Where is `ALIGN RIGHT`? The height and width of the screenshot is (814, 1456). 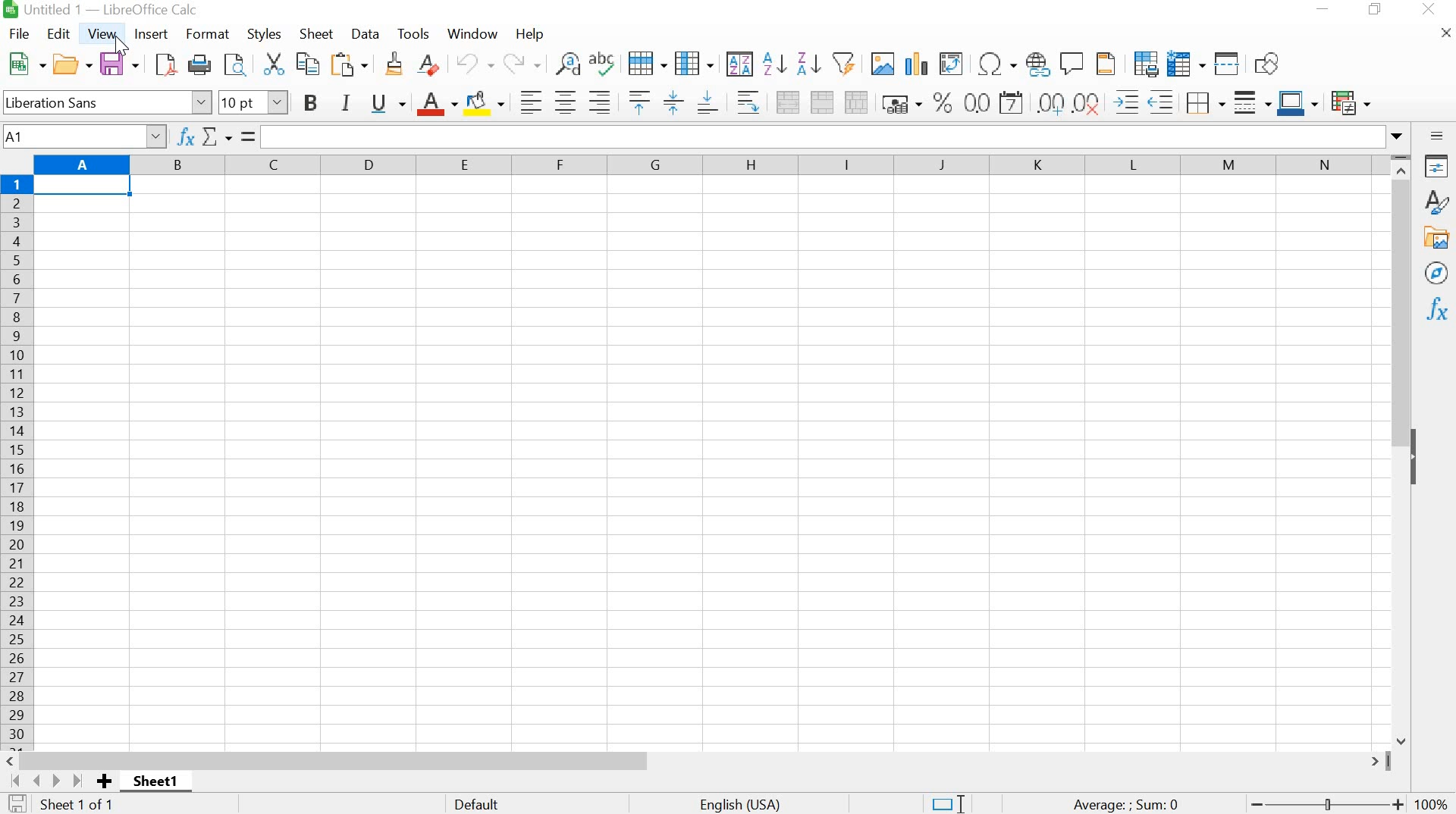 ALIGN RIGHT is located at coordinates (600, 102).